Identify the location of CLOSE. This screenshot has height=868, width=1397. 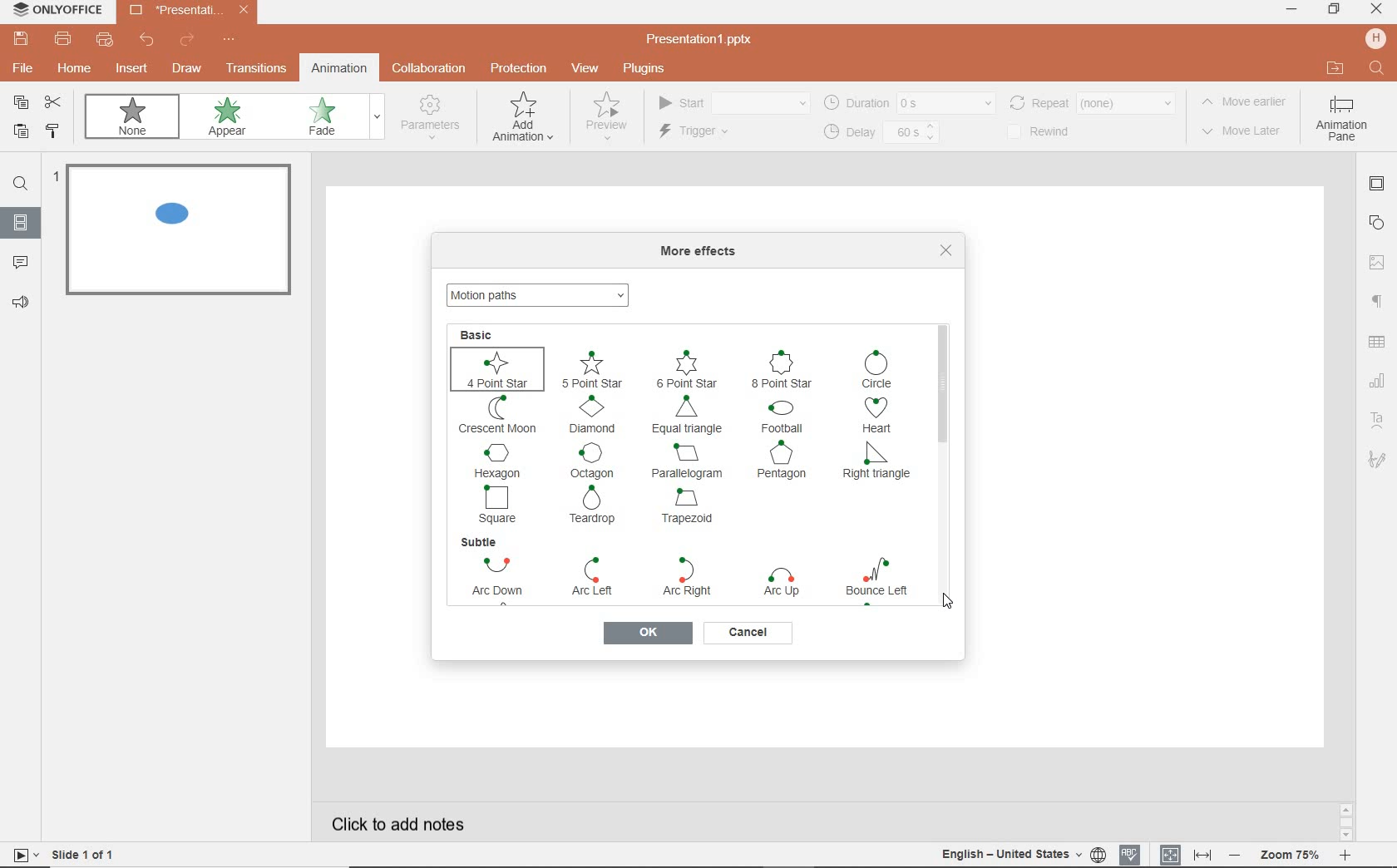
(1375, 9).